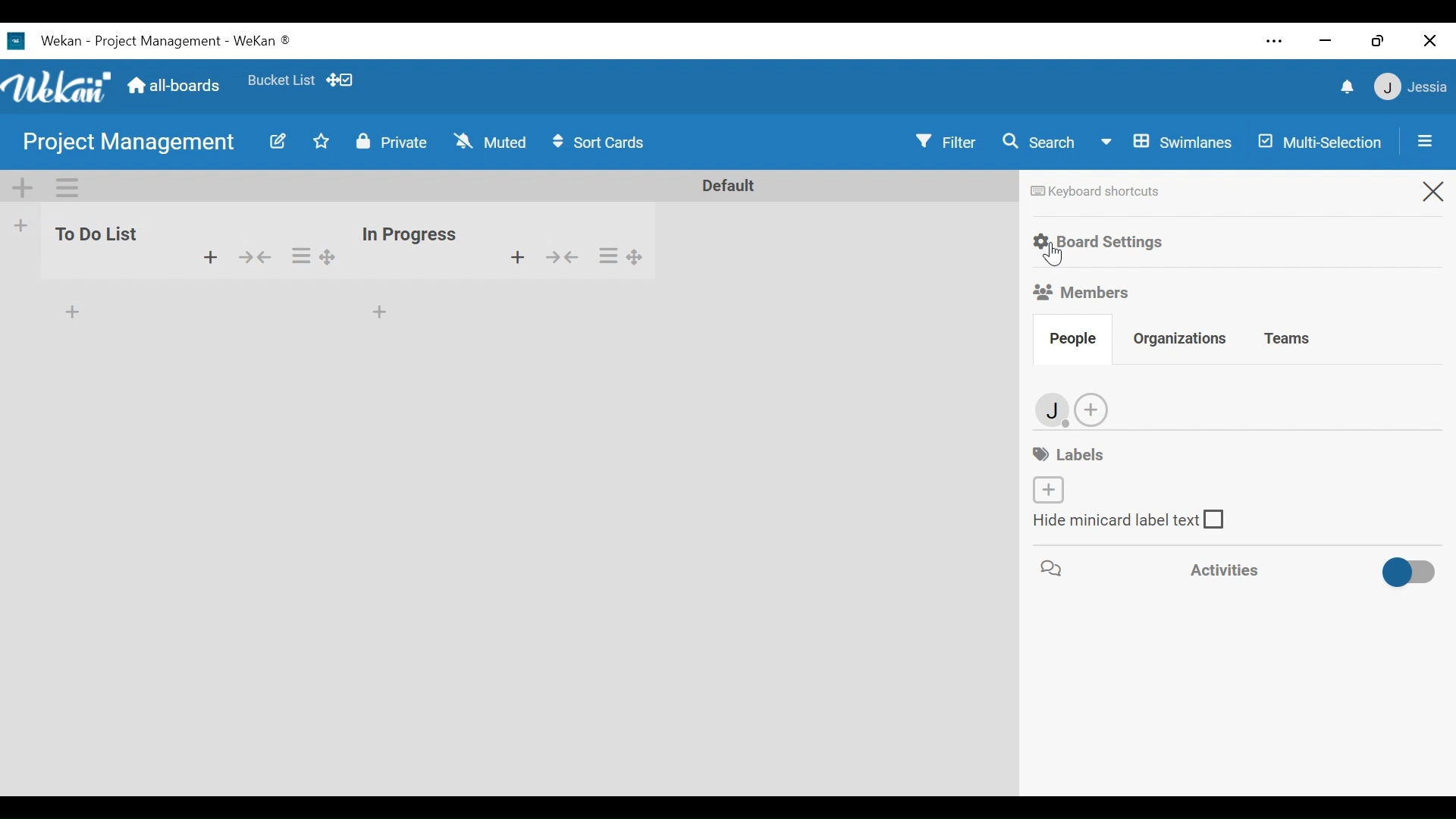 The image size is (1456, 819). Describe the element at coordinates (724, 185) in the screenshot. I see `Default` at that location.